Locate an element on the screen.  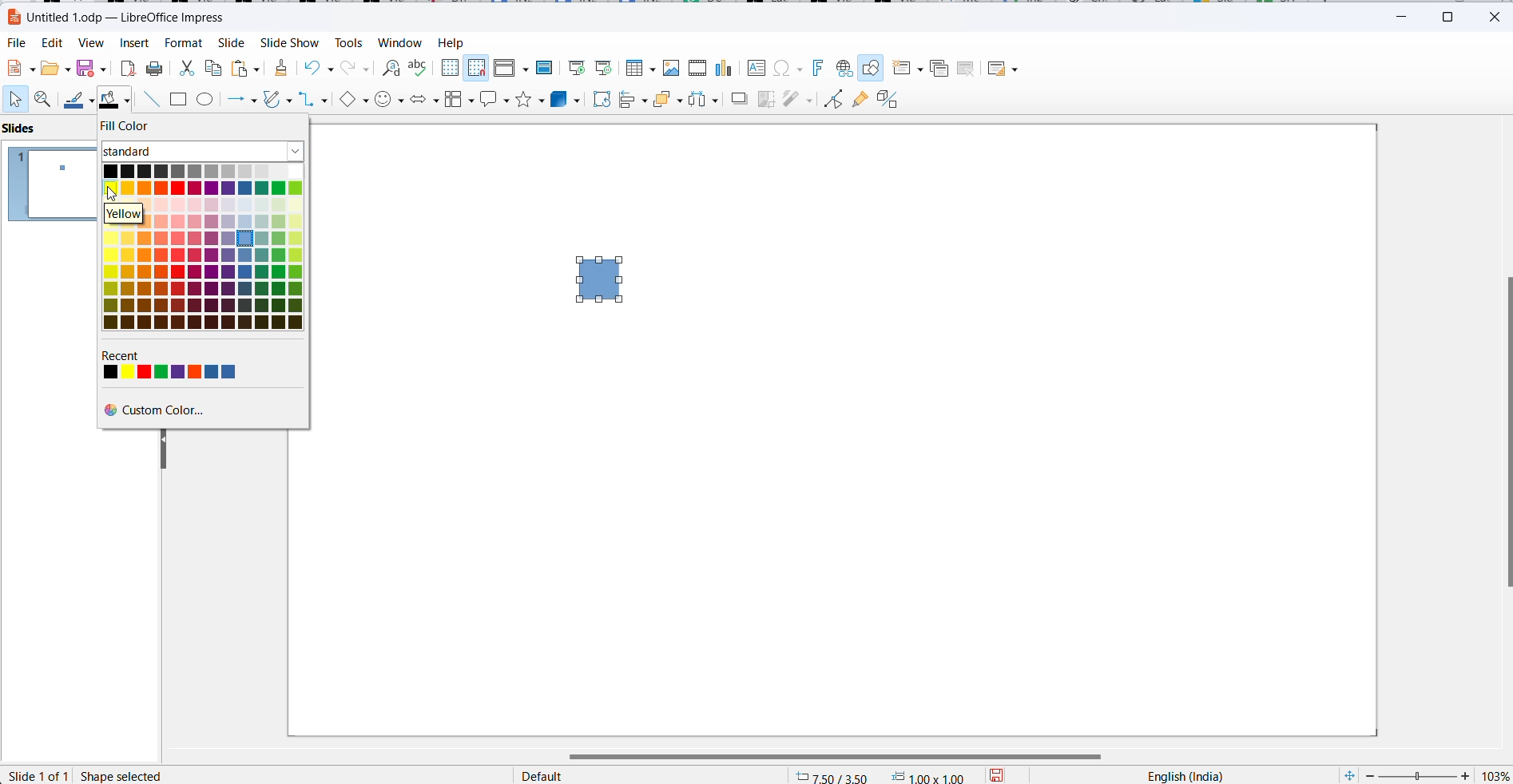
text language is located at coordinates (1181, 774).